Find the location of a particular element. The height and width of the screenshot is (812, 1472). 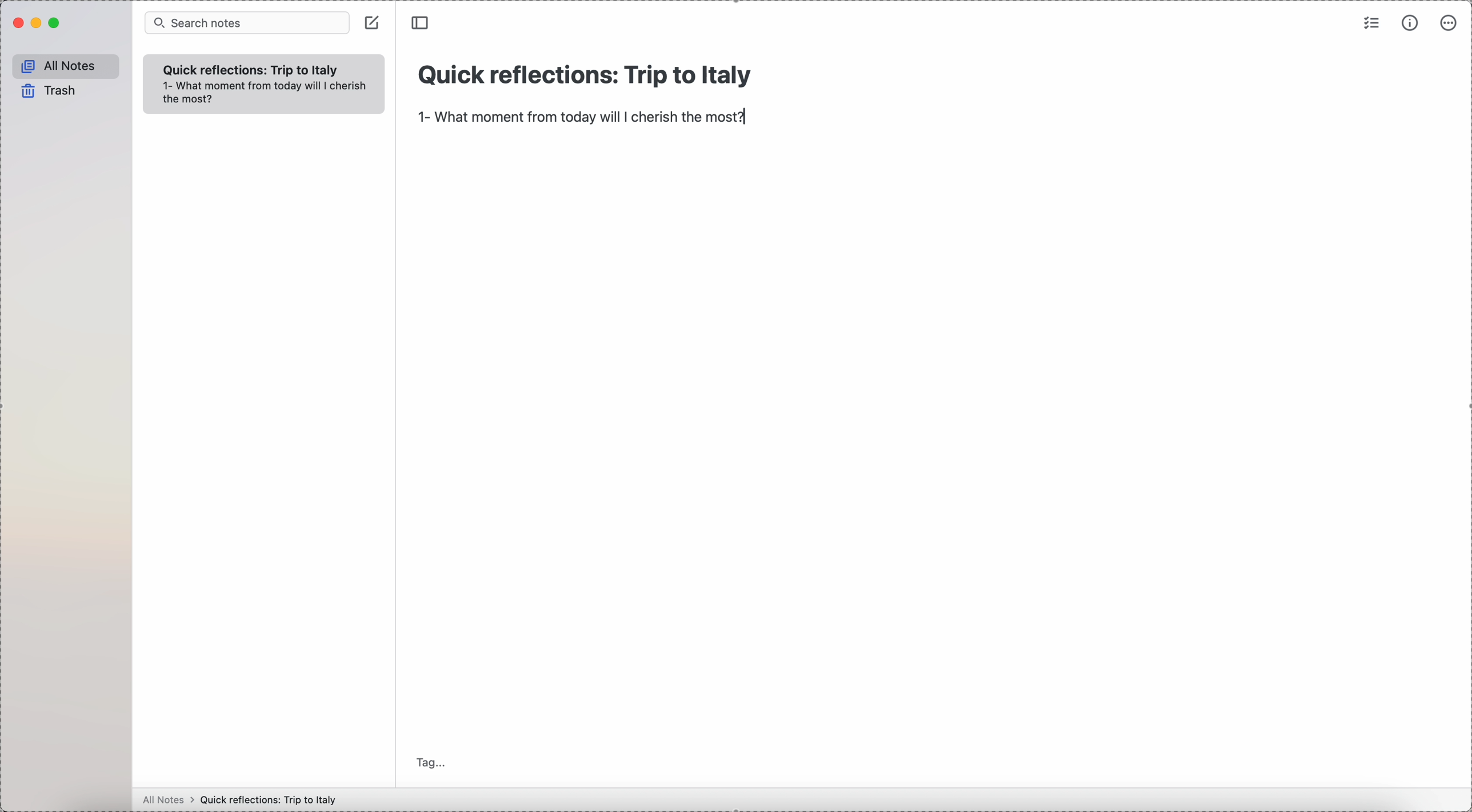

minimize is located at coordinates (38, 24).